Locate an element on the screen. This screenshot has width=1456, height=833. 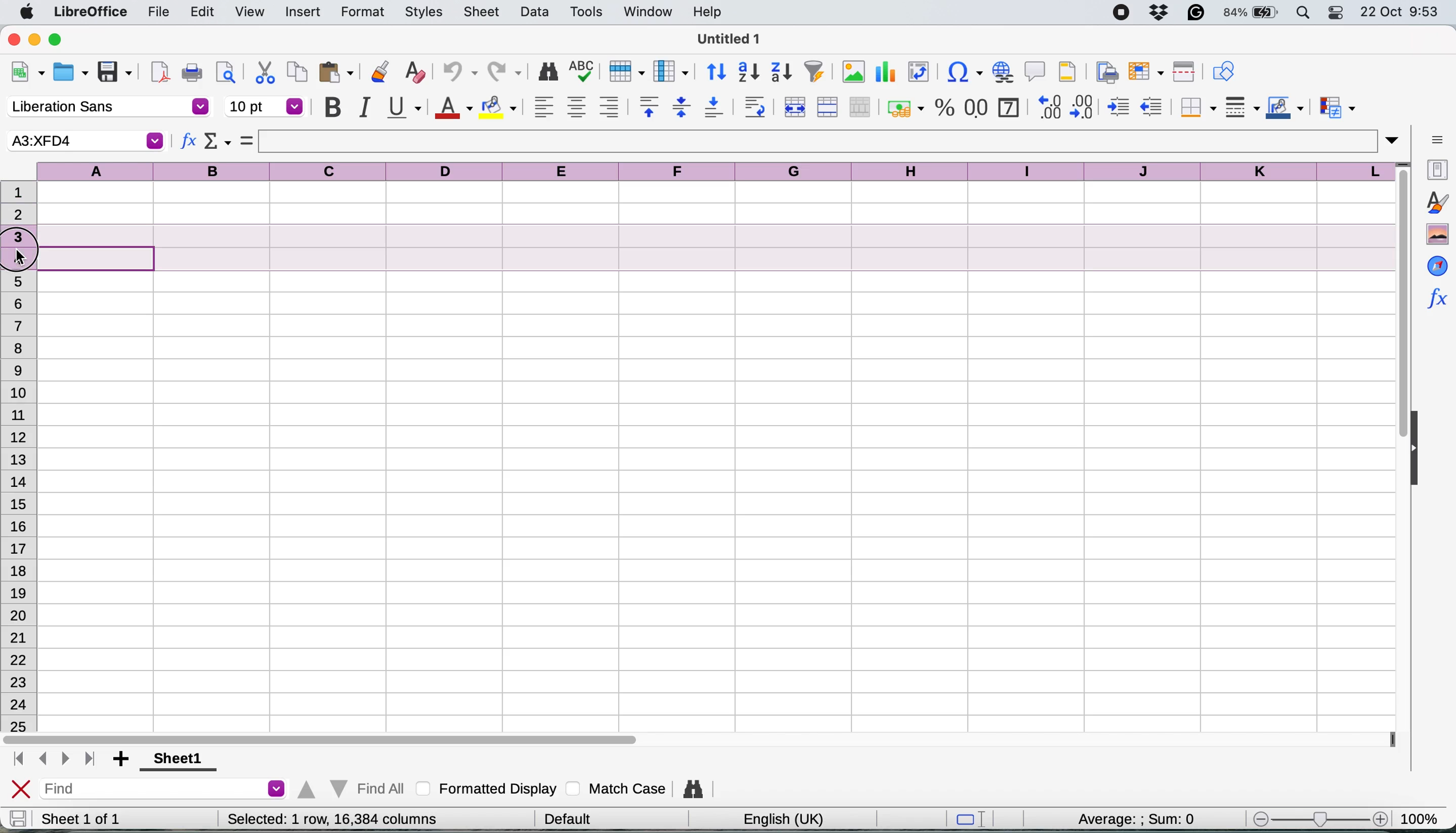
properties is located at coordinates (1435, 168).